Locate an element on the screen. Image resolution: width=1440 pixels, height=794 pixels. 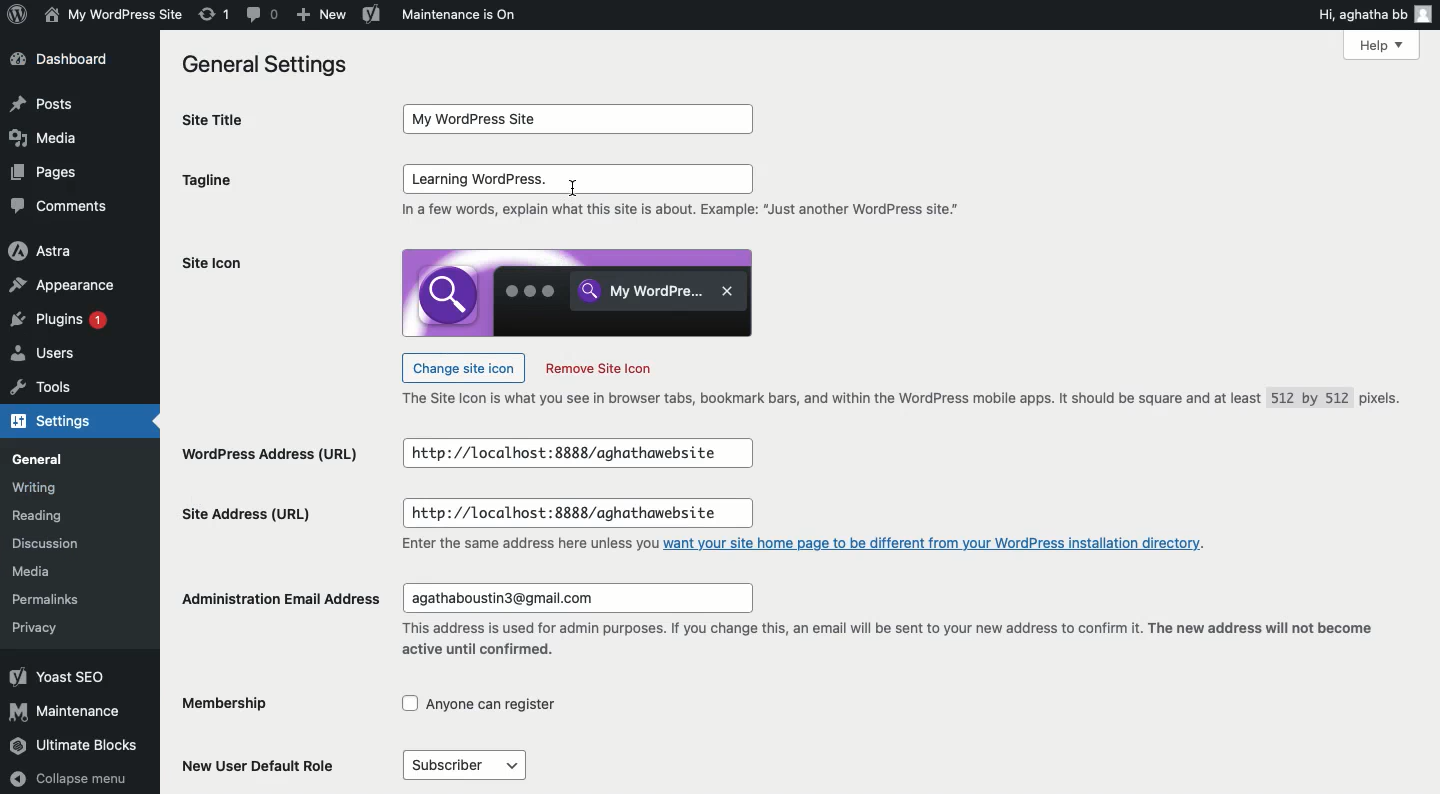
input box is located at coordinates (579, 597).